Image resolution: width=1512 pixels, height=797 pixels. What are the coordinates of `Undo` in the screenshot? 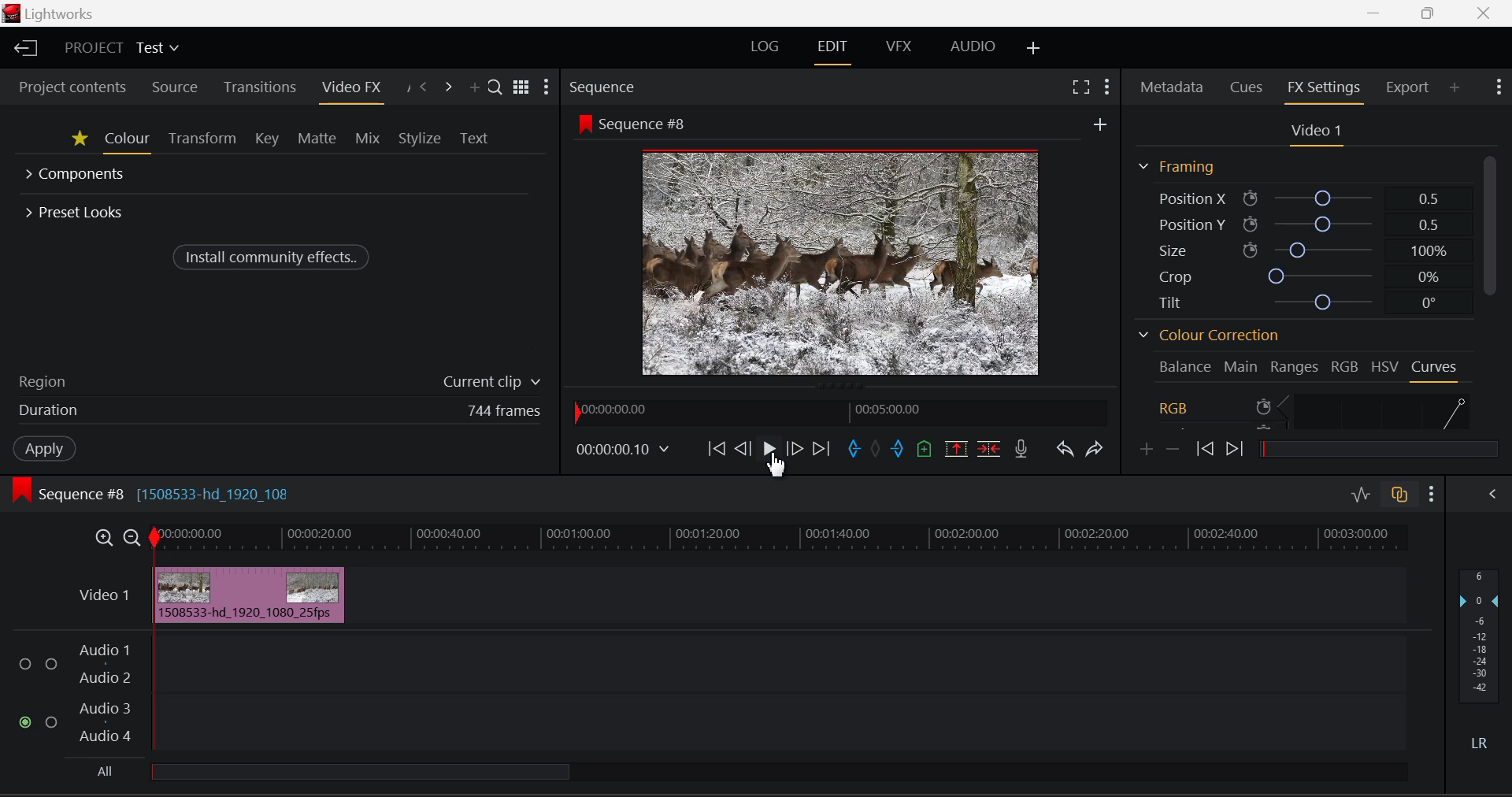 It's located at (1065, 451).